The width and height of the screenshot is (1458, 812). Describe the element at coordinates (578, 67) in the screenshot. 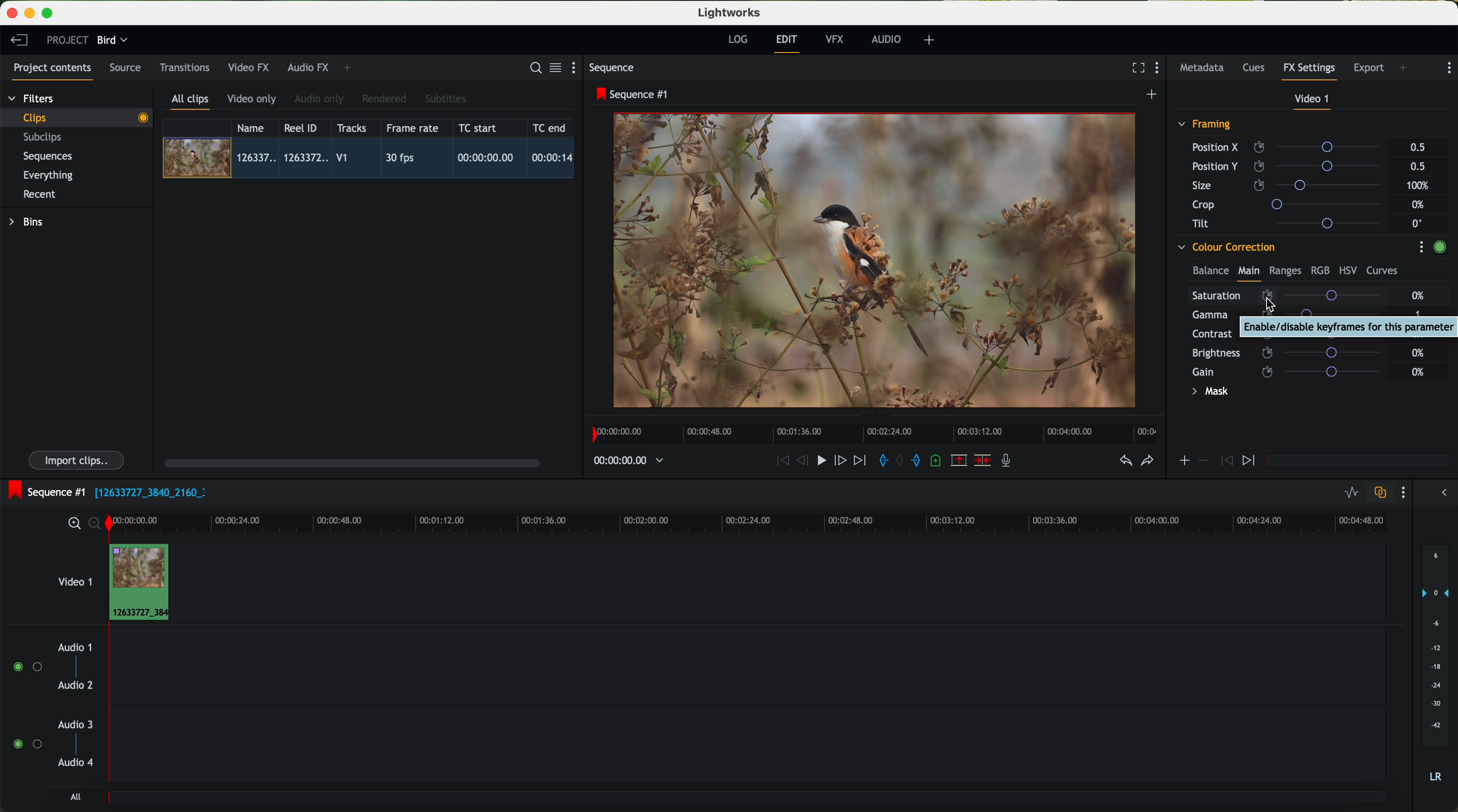

I see `show settings menu` at that location.